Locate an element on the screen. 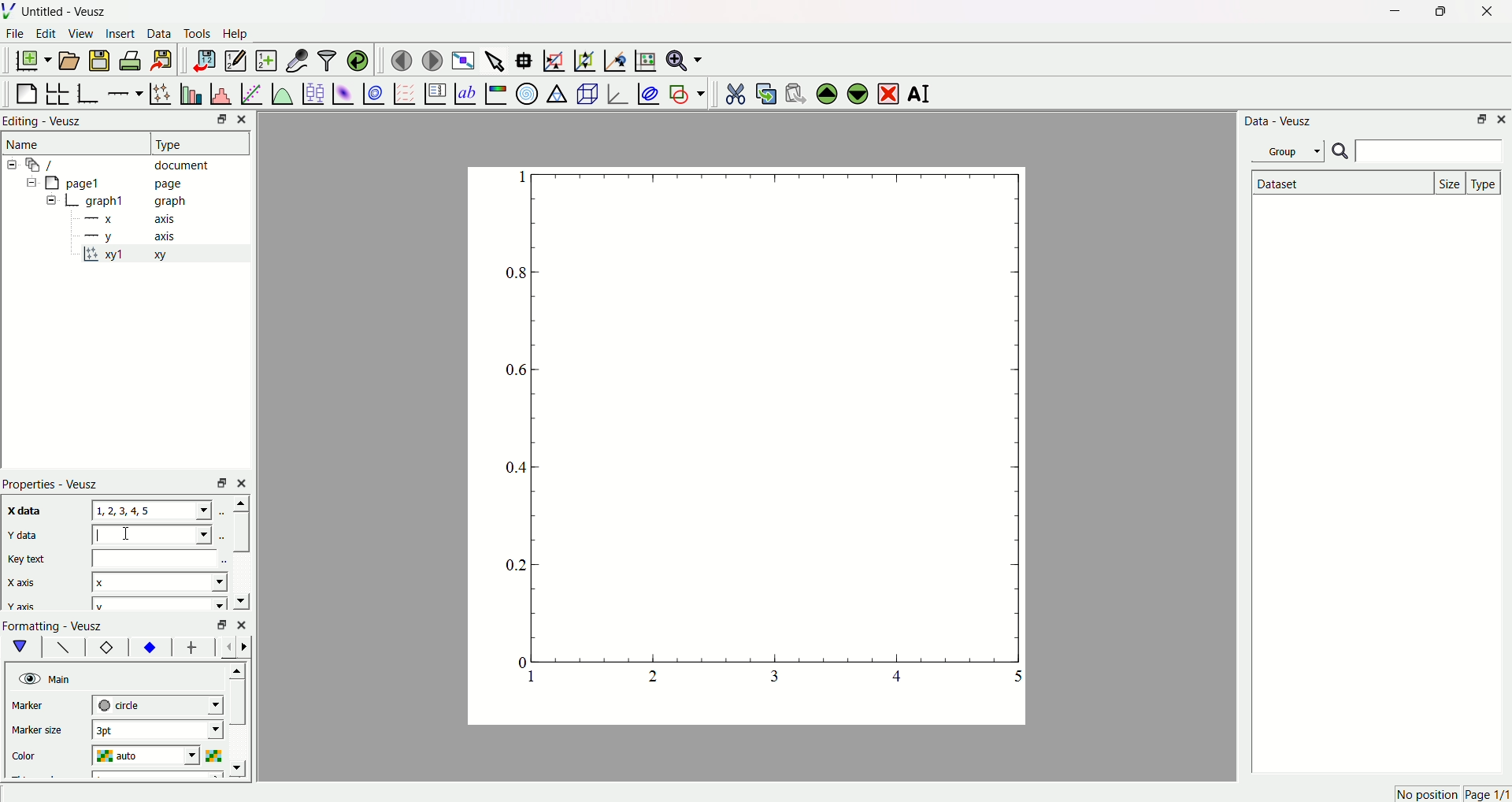 The width and height of the screenshot is (1512, 802). Editing - Veusz is located at coordinates (46, 122).